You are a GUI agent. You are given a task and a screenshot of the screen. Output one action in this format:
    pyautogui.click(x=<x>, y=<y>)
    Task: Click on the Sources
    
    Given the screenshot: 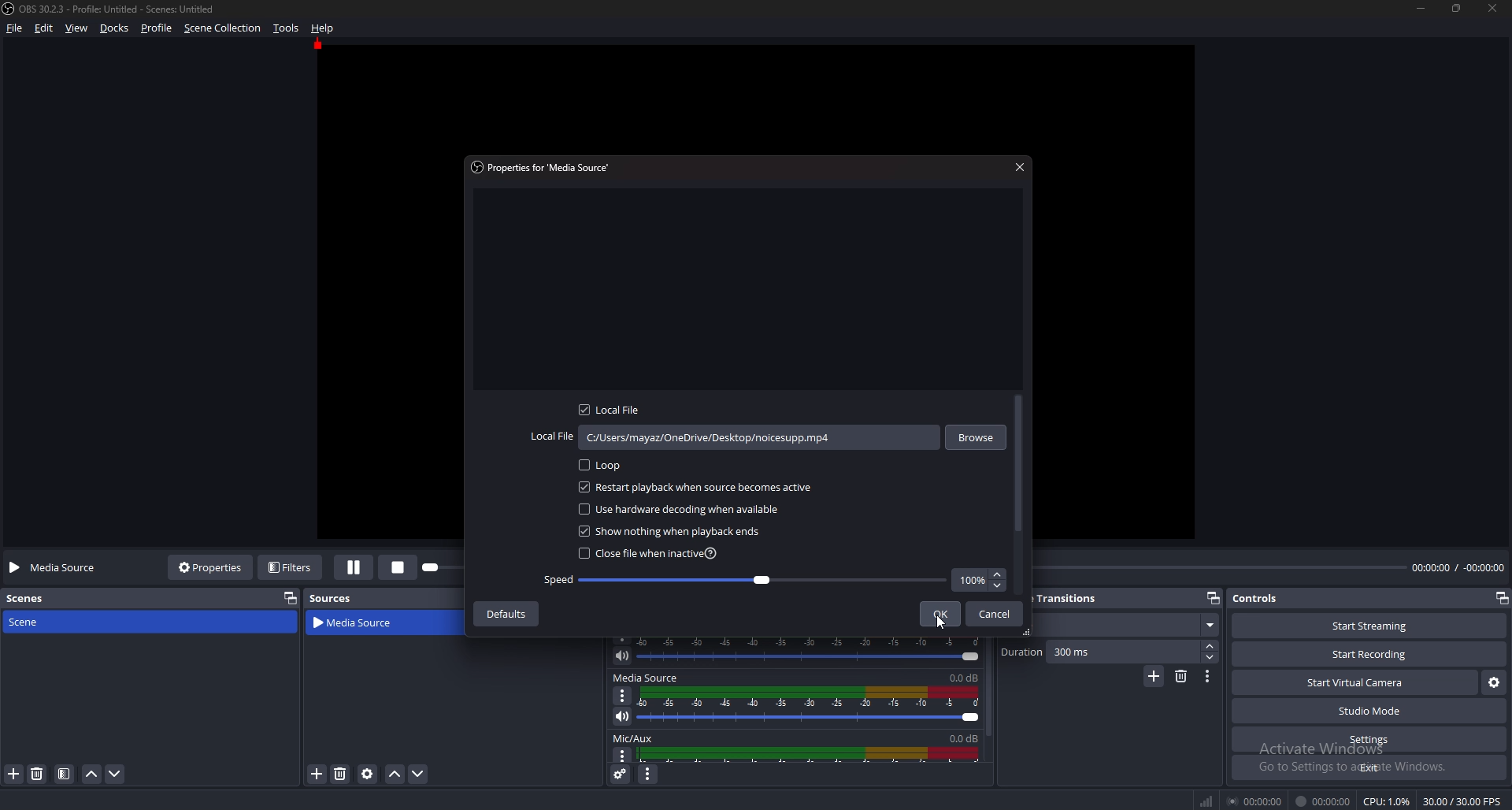 What is the action you would take?
    pyautogui.click(x=331, y=598)
    